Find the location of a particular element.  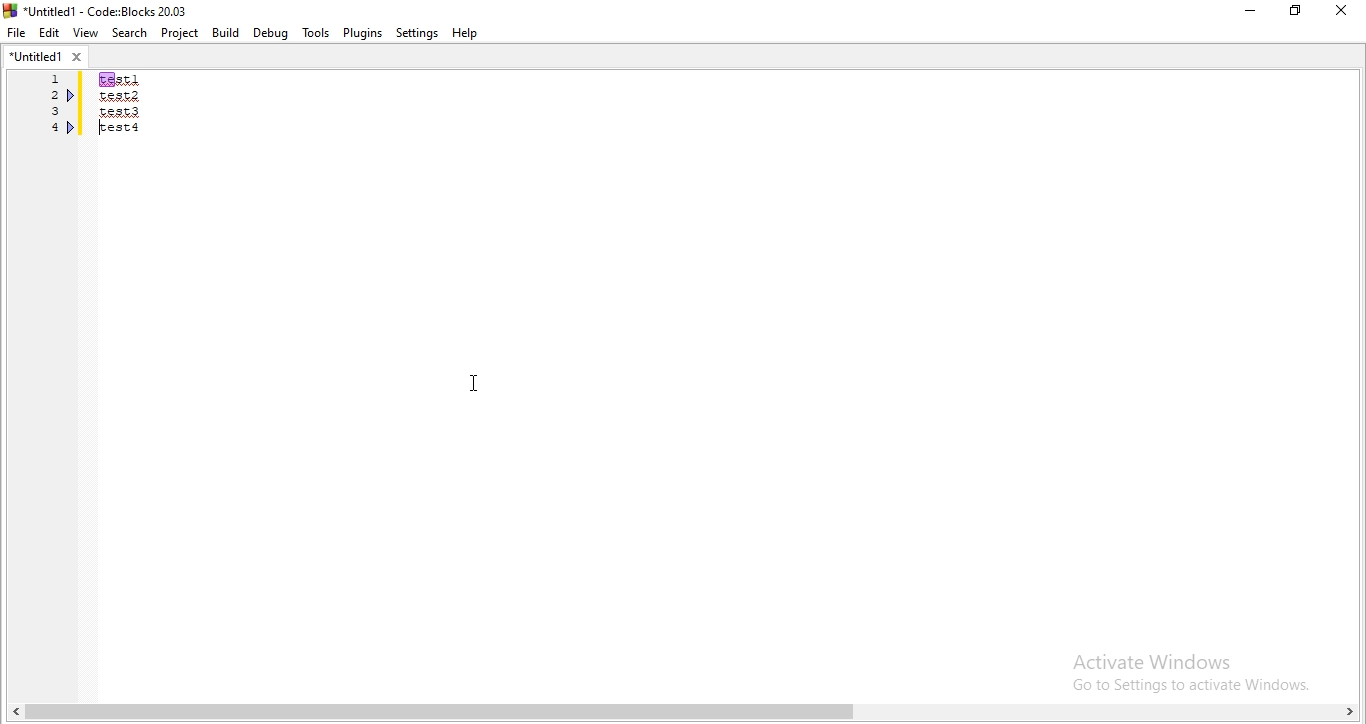

Settings  is located at coordinates (419, 33).